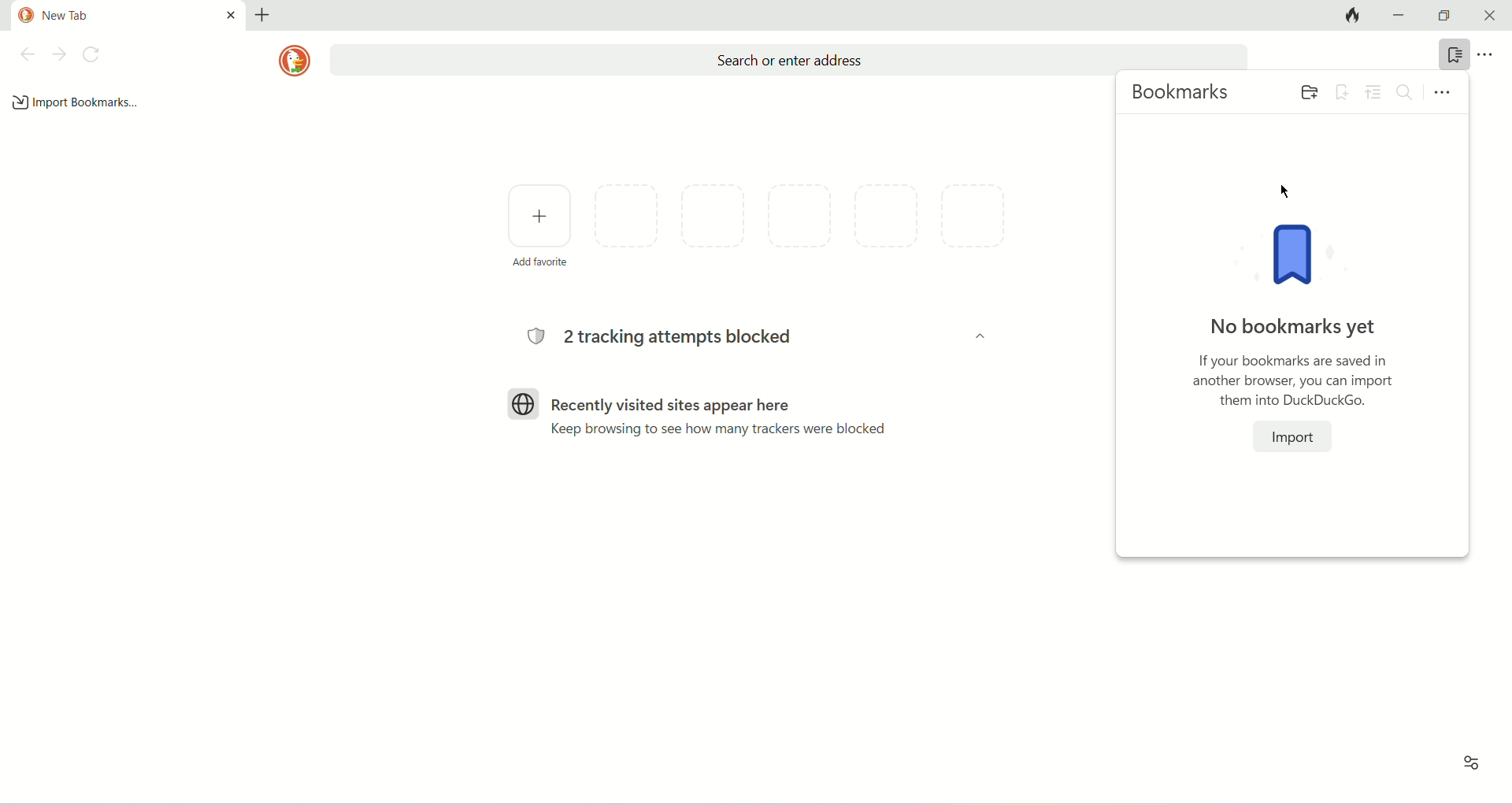  What do you see at coordinates (1468, 769) in the screenshot?
I see `home page settings` at bounding box center [1468, 769].